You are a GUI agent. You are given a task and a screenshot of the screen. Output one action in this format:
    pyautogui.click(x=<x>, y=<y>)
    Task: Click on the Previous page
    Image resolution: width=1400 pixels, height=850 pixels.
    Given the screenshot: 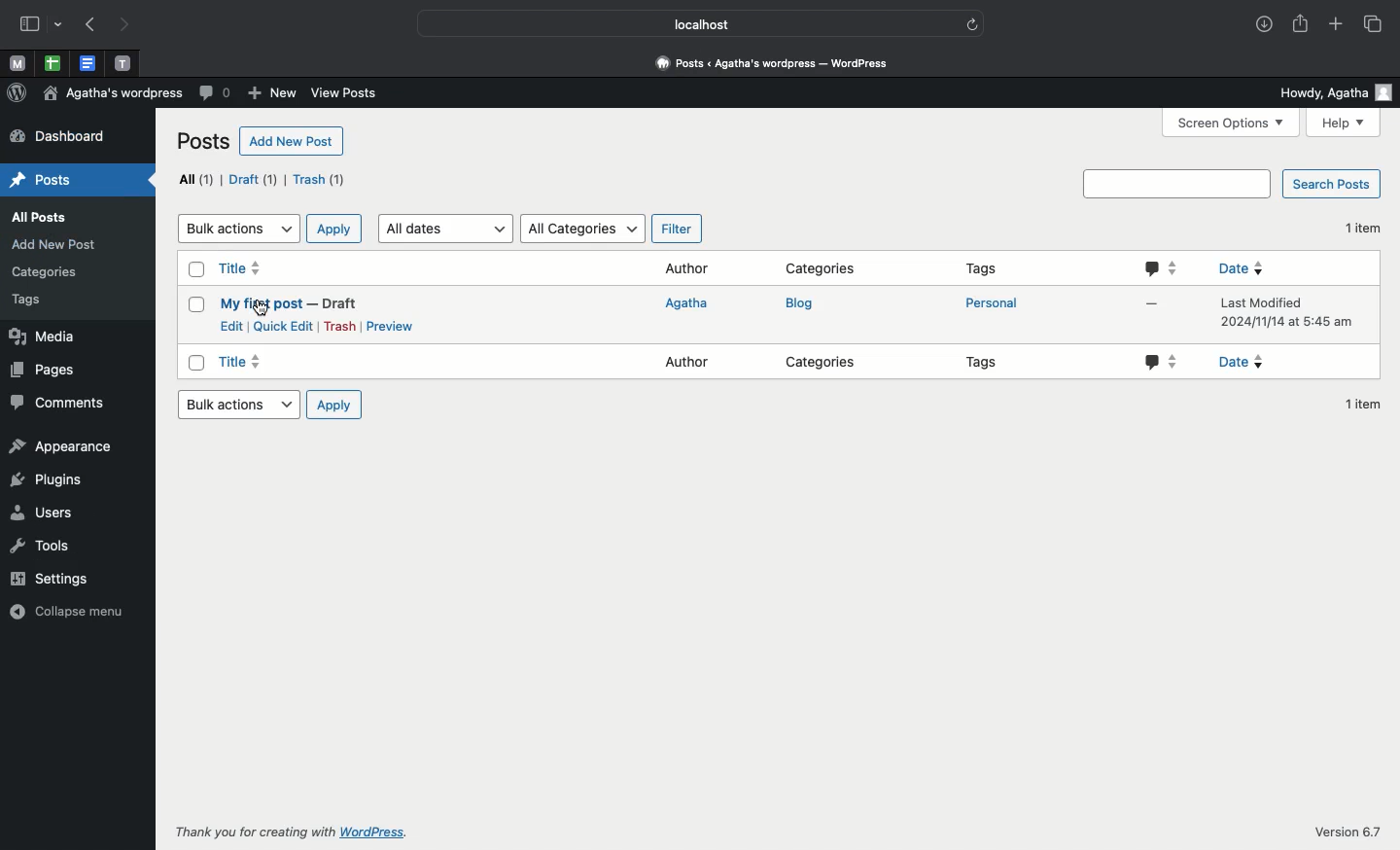 What is the action you would take?
    pyautogui.click(x=88, y=25)
    